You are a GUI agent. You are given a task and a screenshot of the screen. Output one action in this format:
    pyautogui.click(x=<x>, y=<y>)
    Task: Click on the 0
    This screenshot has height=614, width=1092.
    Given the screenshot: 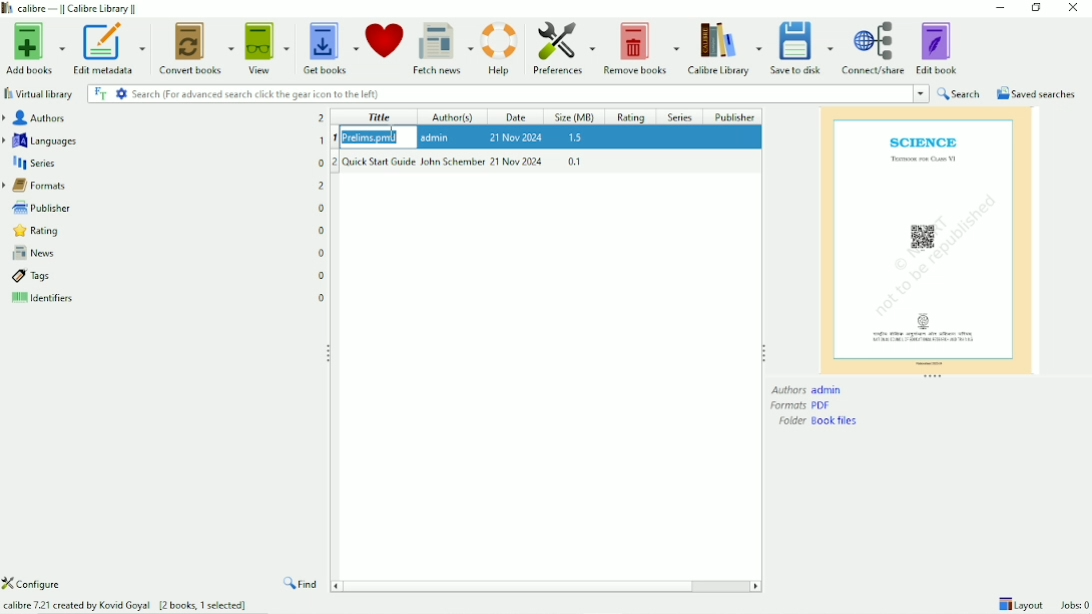 What is the action you would take?
    pyautogui.click(x=322, y=208)
    